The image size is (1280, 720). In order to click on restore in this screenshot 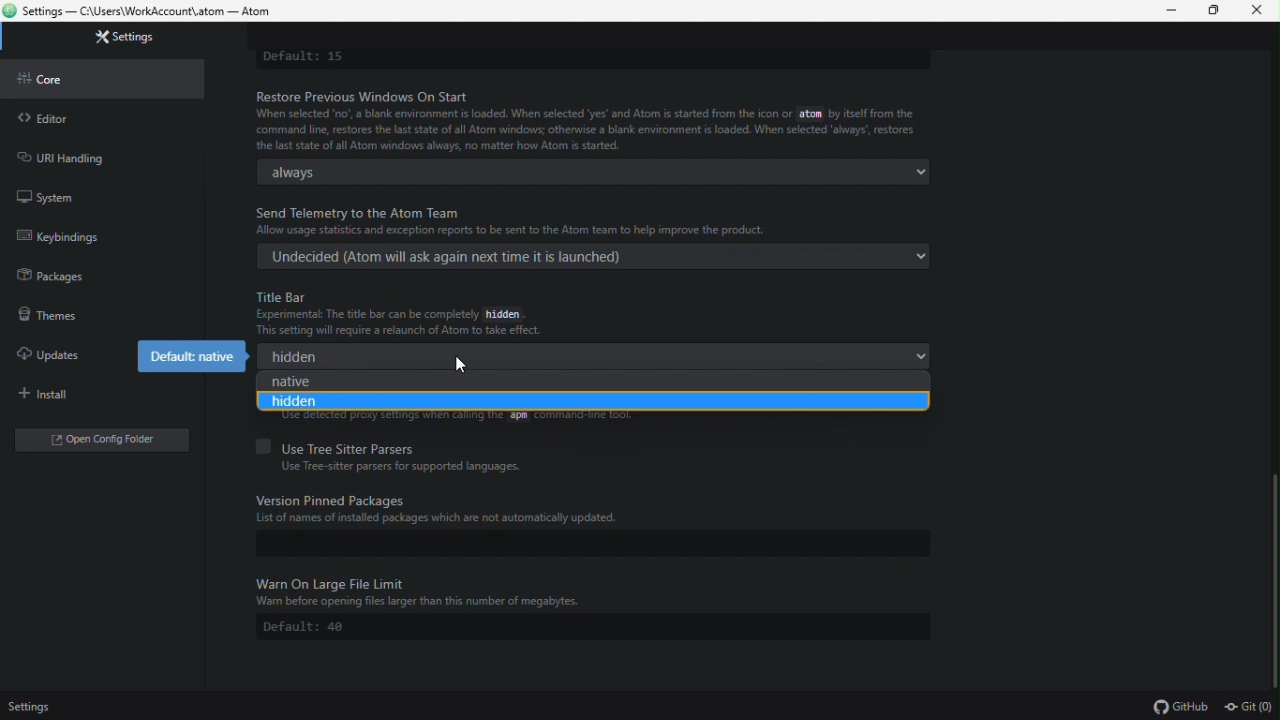, I will do `click(1212, 10)`.